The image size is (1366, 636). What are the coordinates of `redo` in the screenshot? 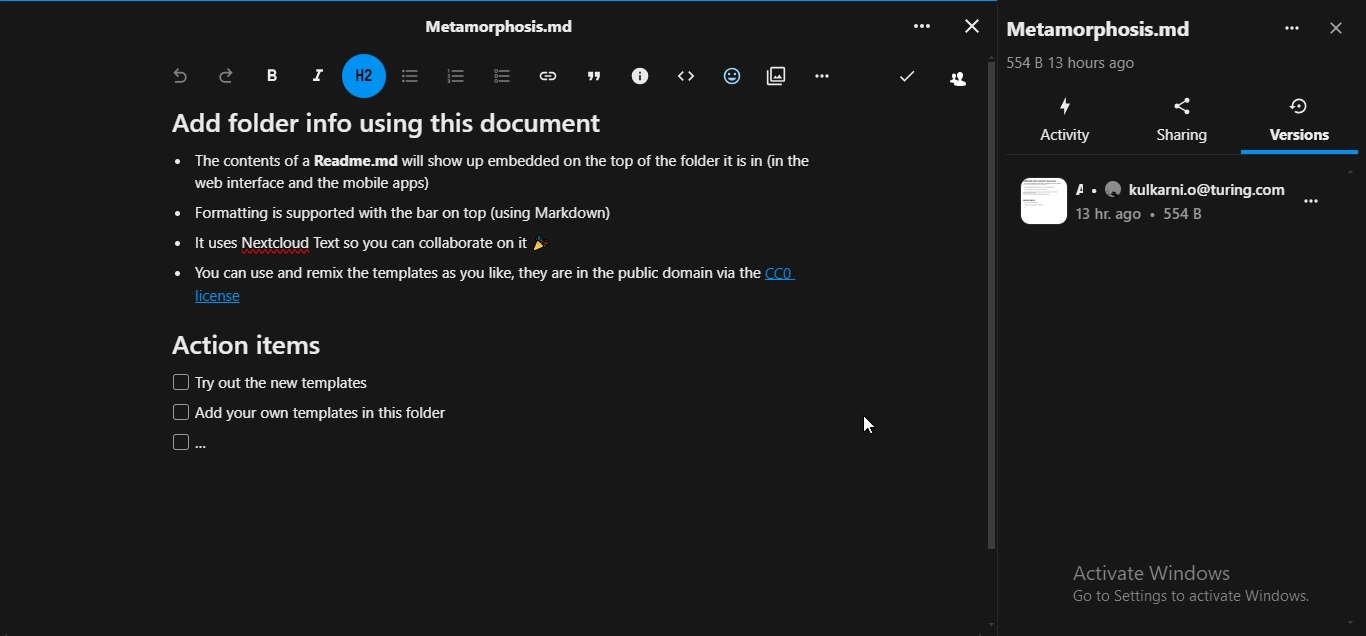 It's located at (227, 75).